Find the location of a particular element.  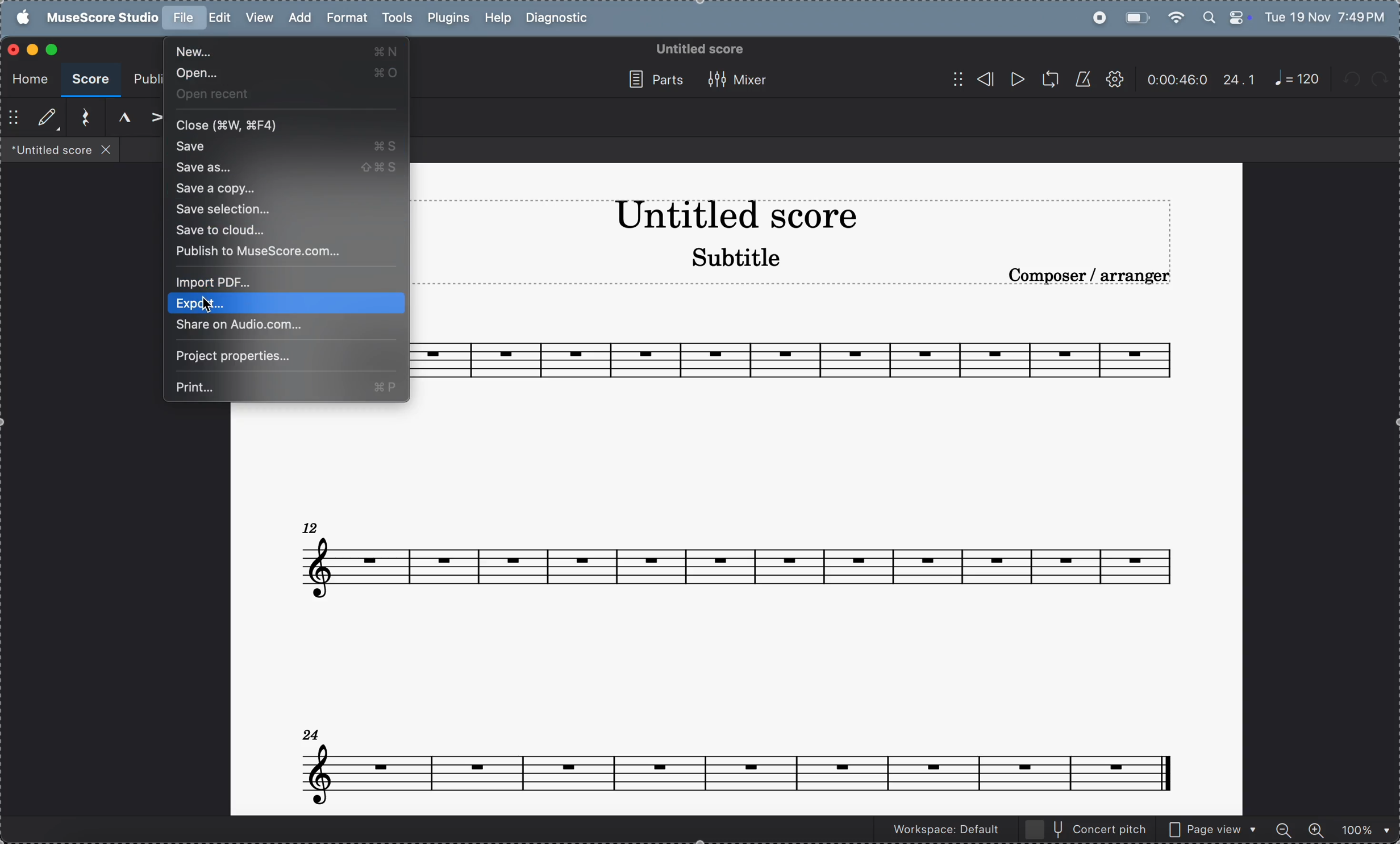

plugins is located at coordinates (445, 19).